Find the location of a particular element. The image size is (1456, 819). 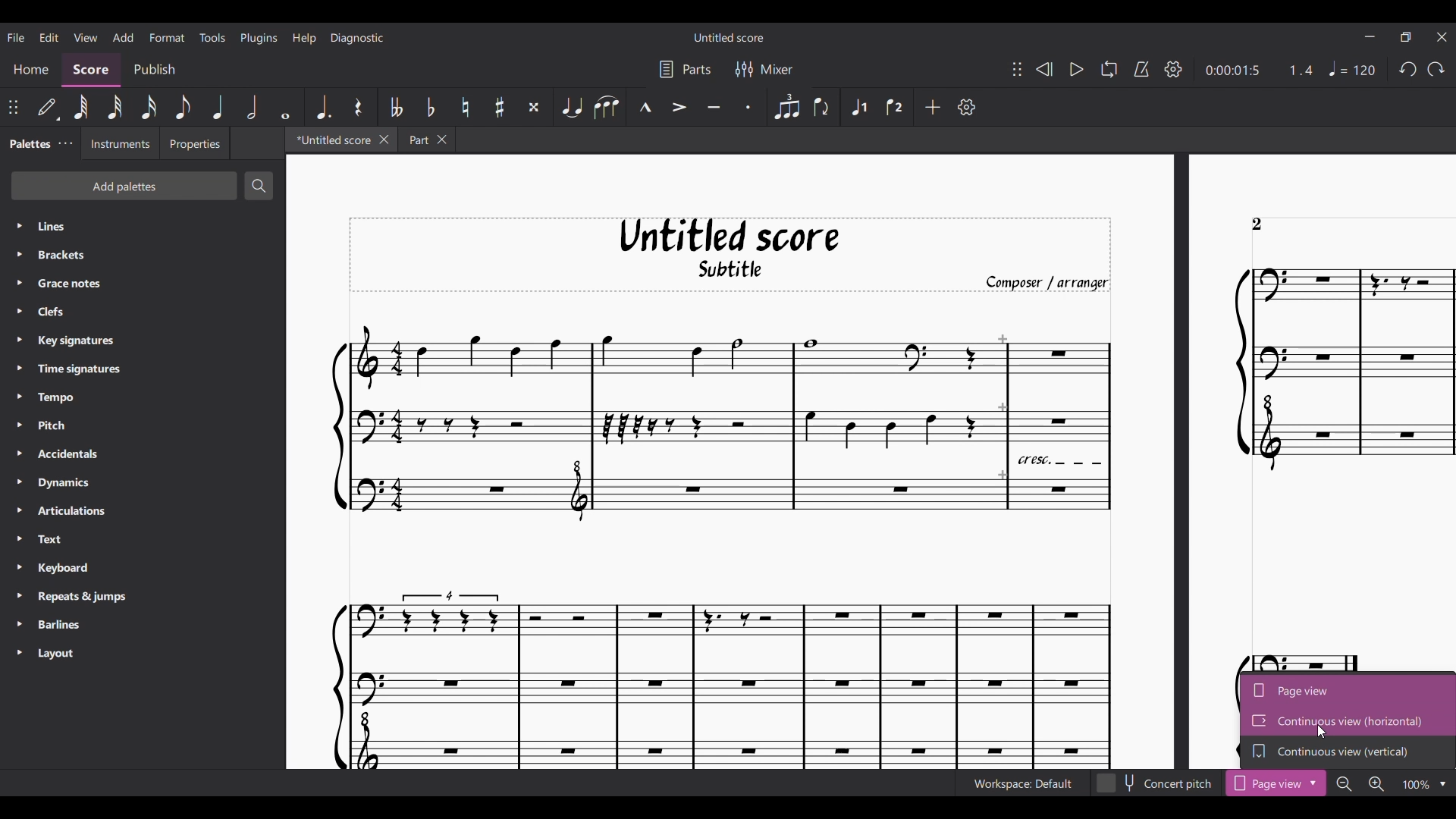

Staccato is located at coordinates (751, 107).